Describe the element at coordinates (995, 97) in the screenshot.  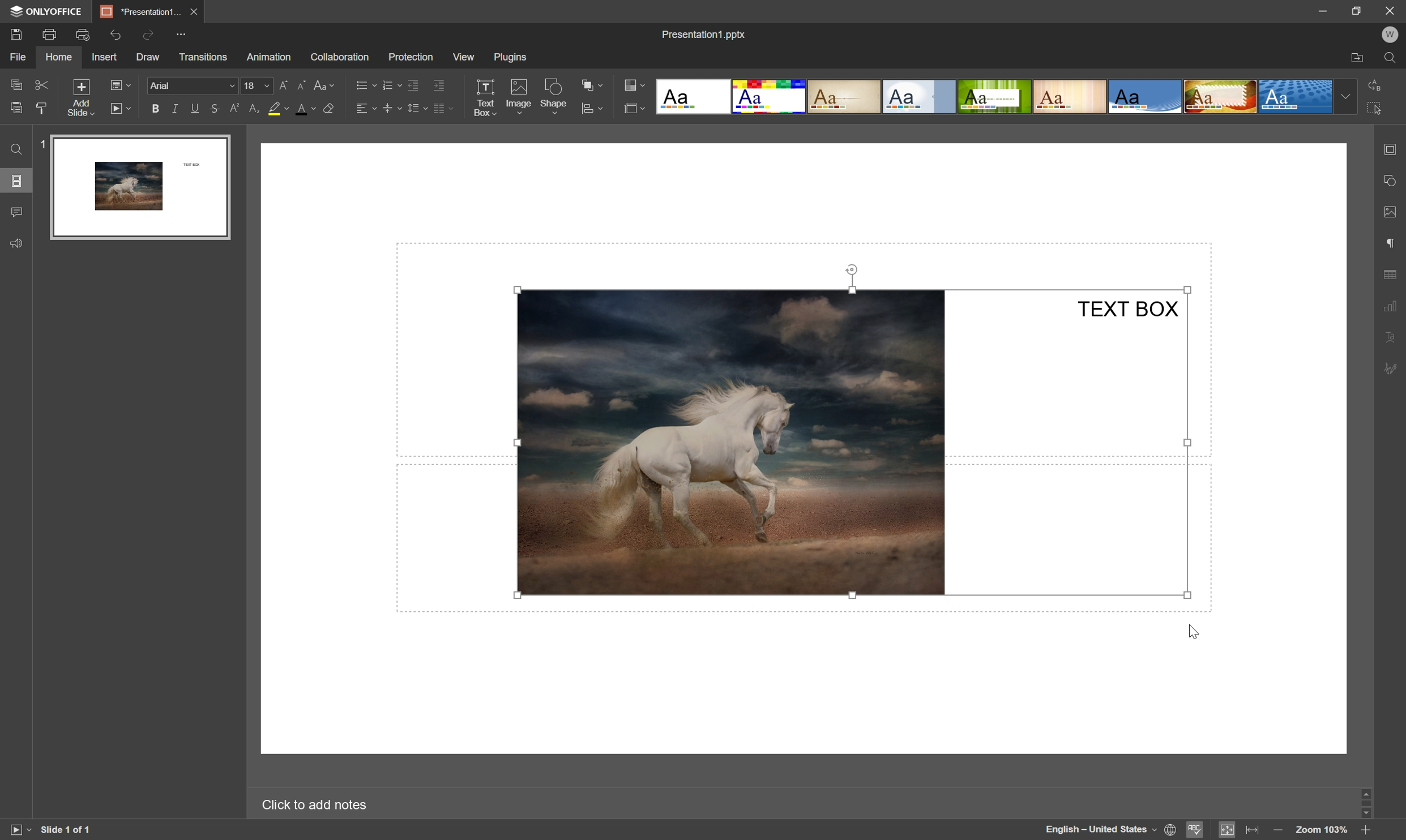
I see `Green Leaf` at that location.